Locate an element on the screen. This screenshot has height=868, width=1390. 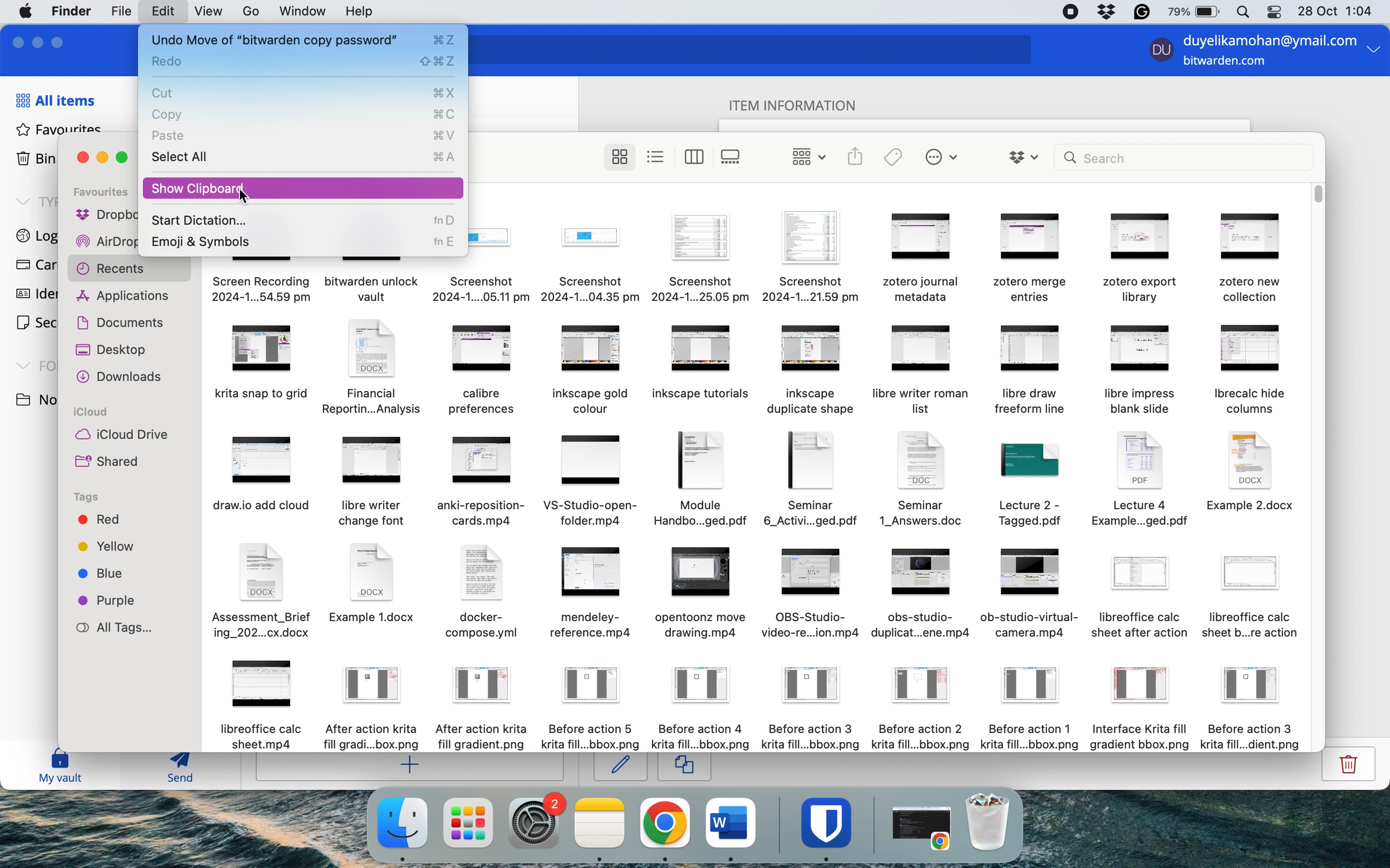
bin is located at coordinates (994, 821).